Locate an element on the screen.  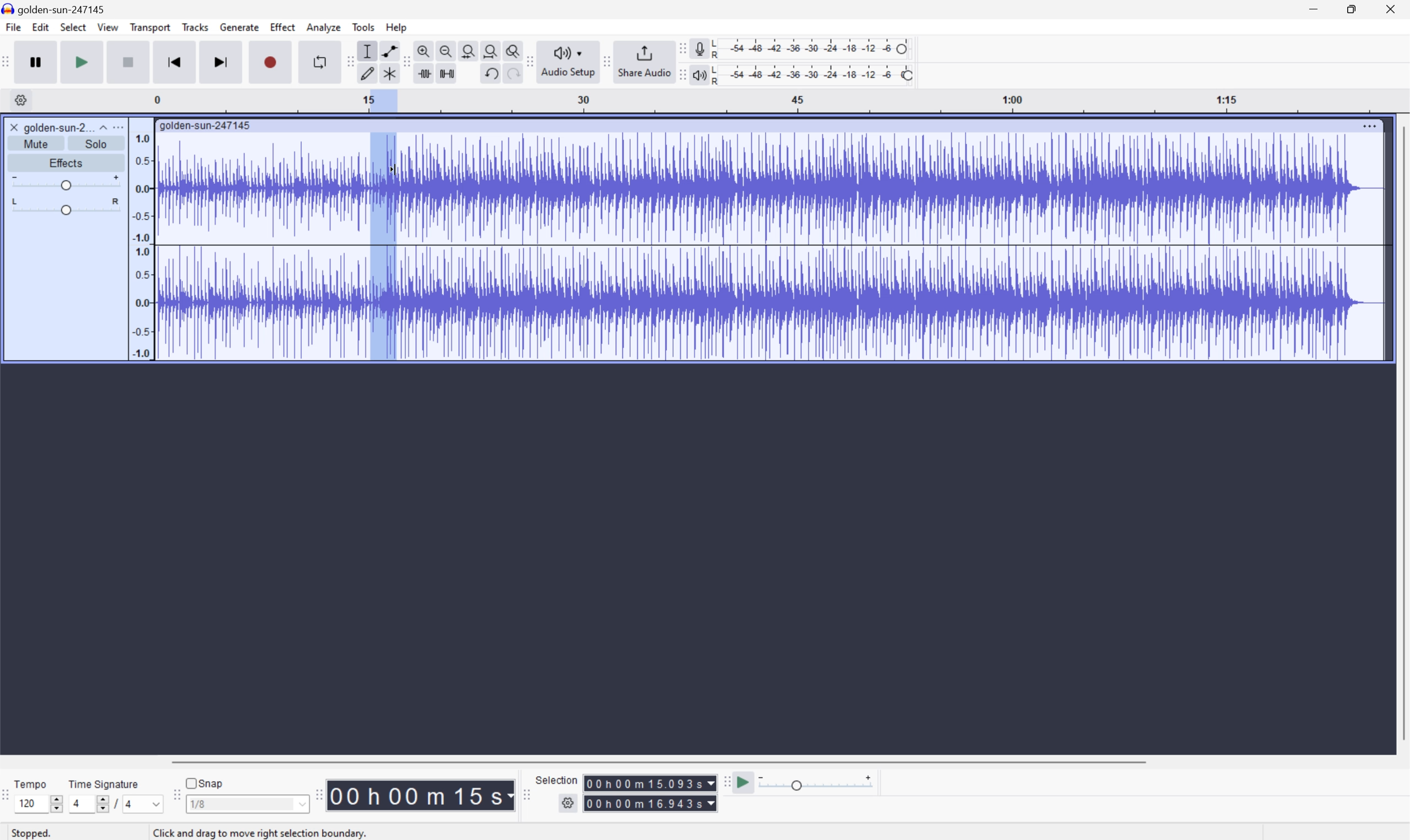
Audacity audio setup toolbar is located at coordinates (529, 61).